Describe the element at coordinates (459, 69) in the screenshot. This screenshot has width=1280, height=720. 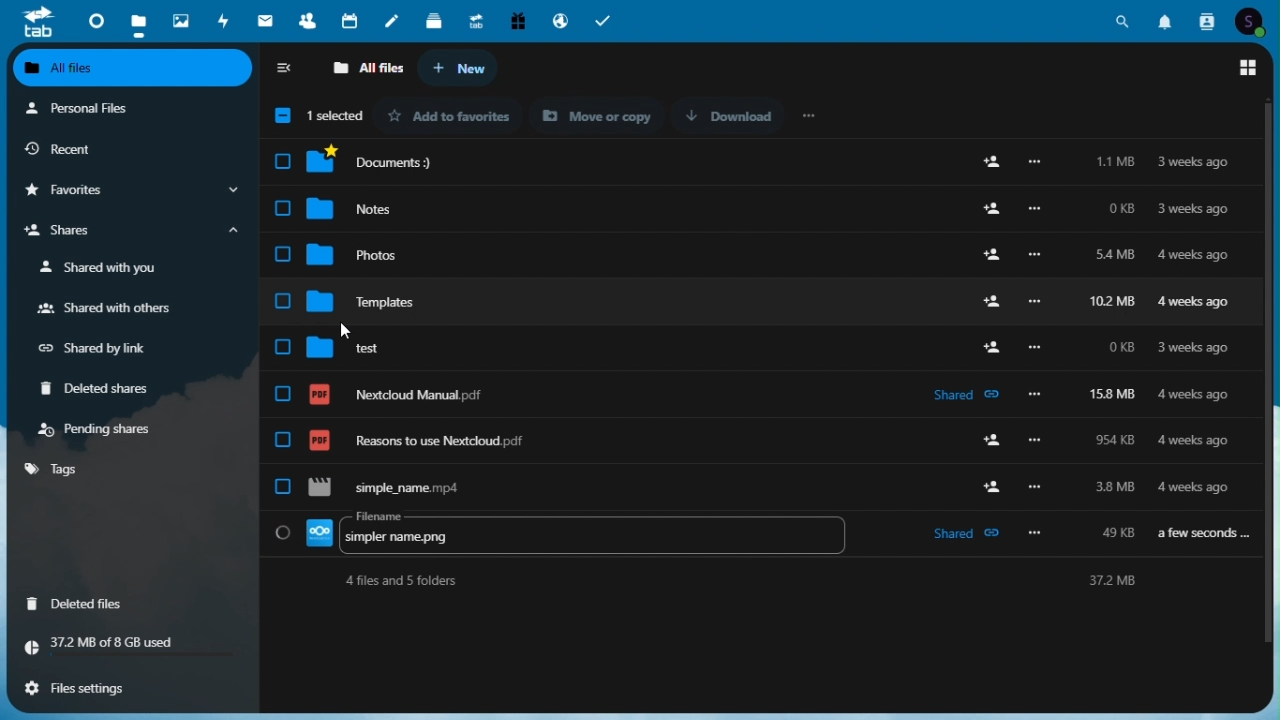
I see `new` at that location.